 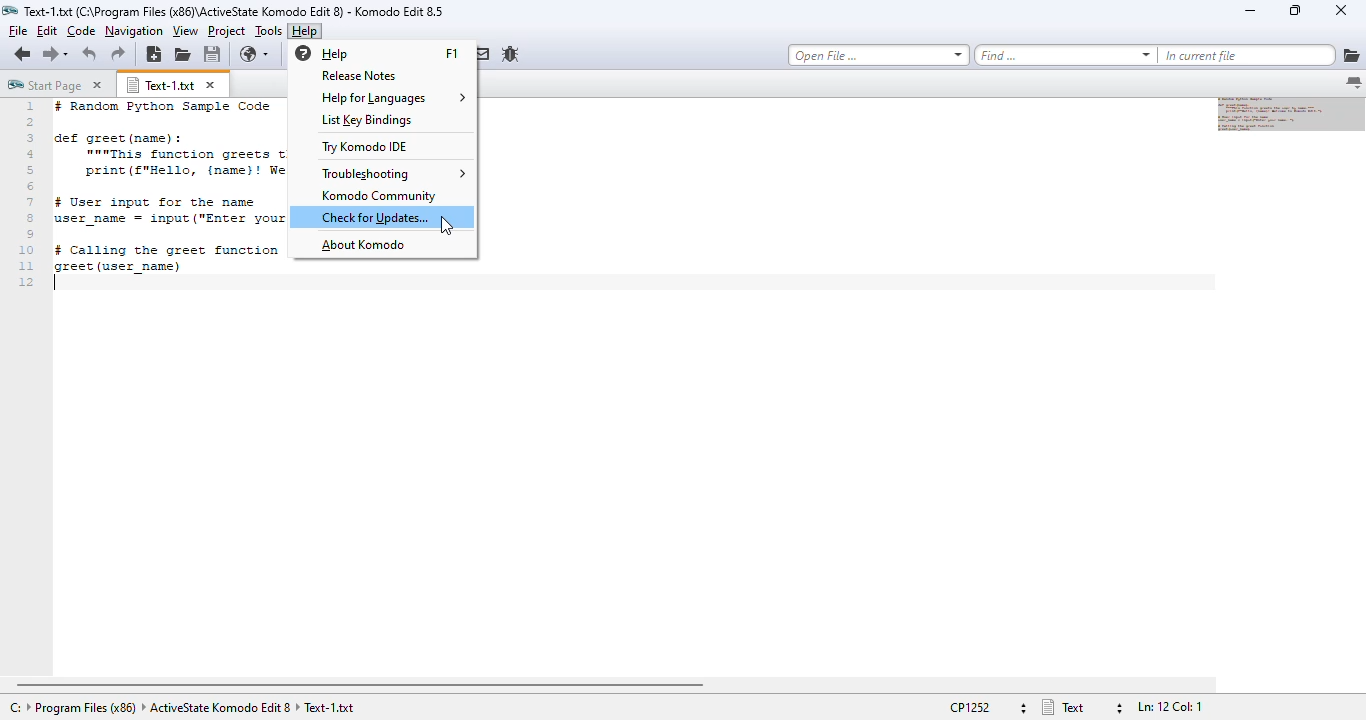 What do you see at coordinates (1249, 11) in the screenshot?
I see `minimize` at bounding box center [1249, 11].